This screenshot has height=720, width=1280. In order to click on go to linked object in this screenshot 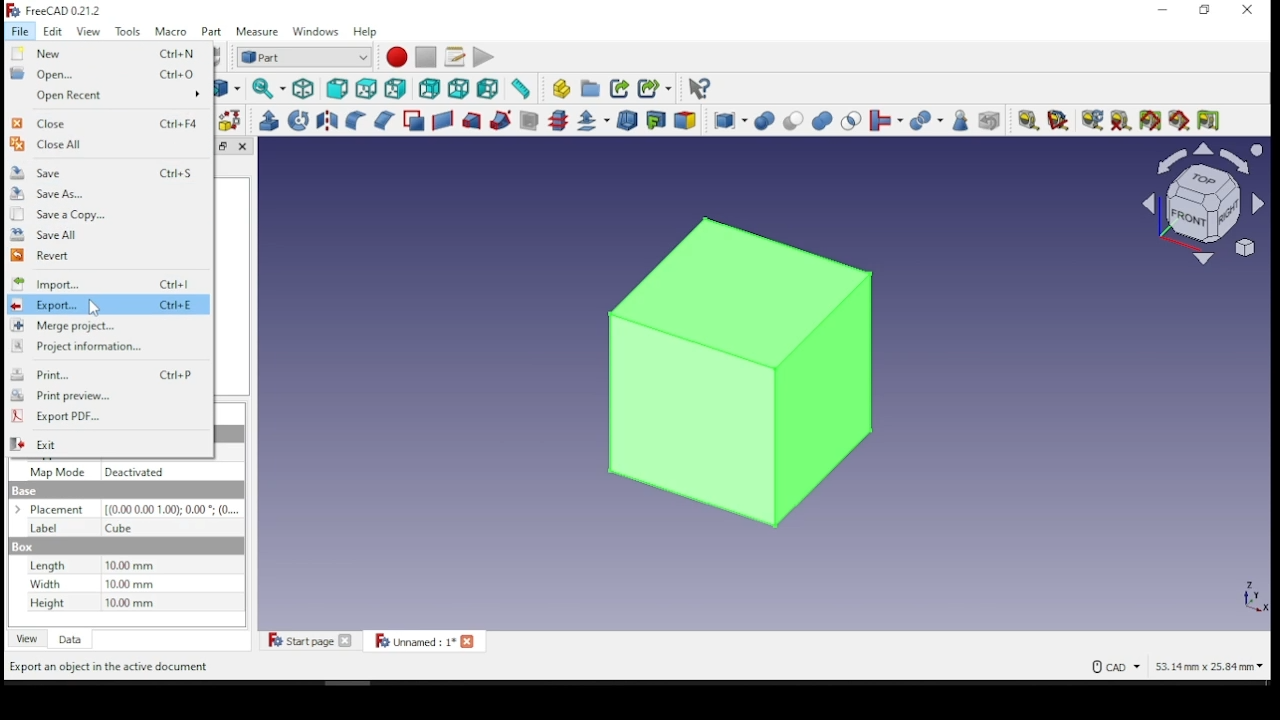, I will do `click(222, 88)`.